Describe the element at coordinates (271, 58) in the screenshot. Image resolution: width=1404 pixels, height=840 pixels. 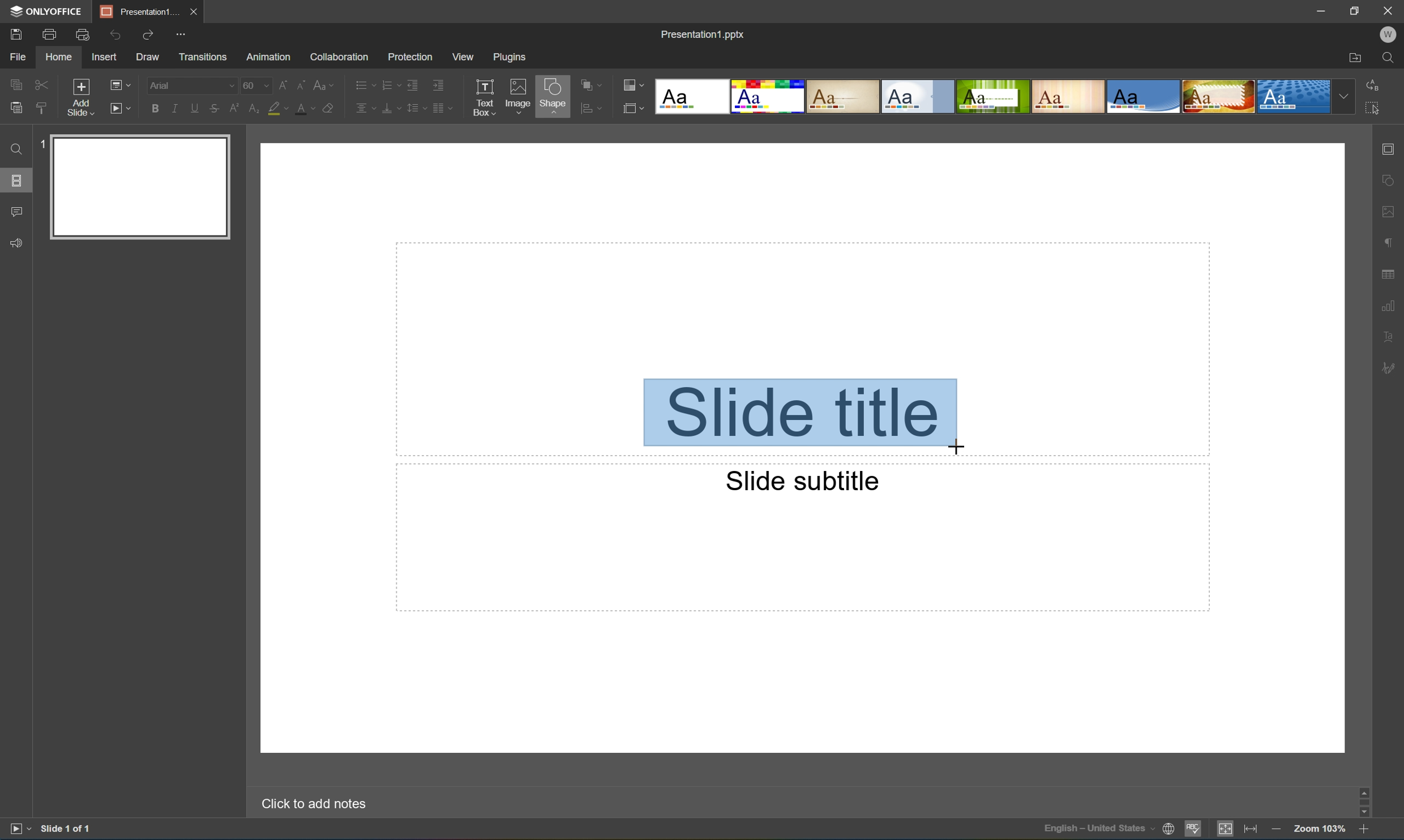
I see `Animation` at that location.